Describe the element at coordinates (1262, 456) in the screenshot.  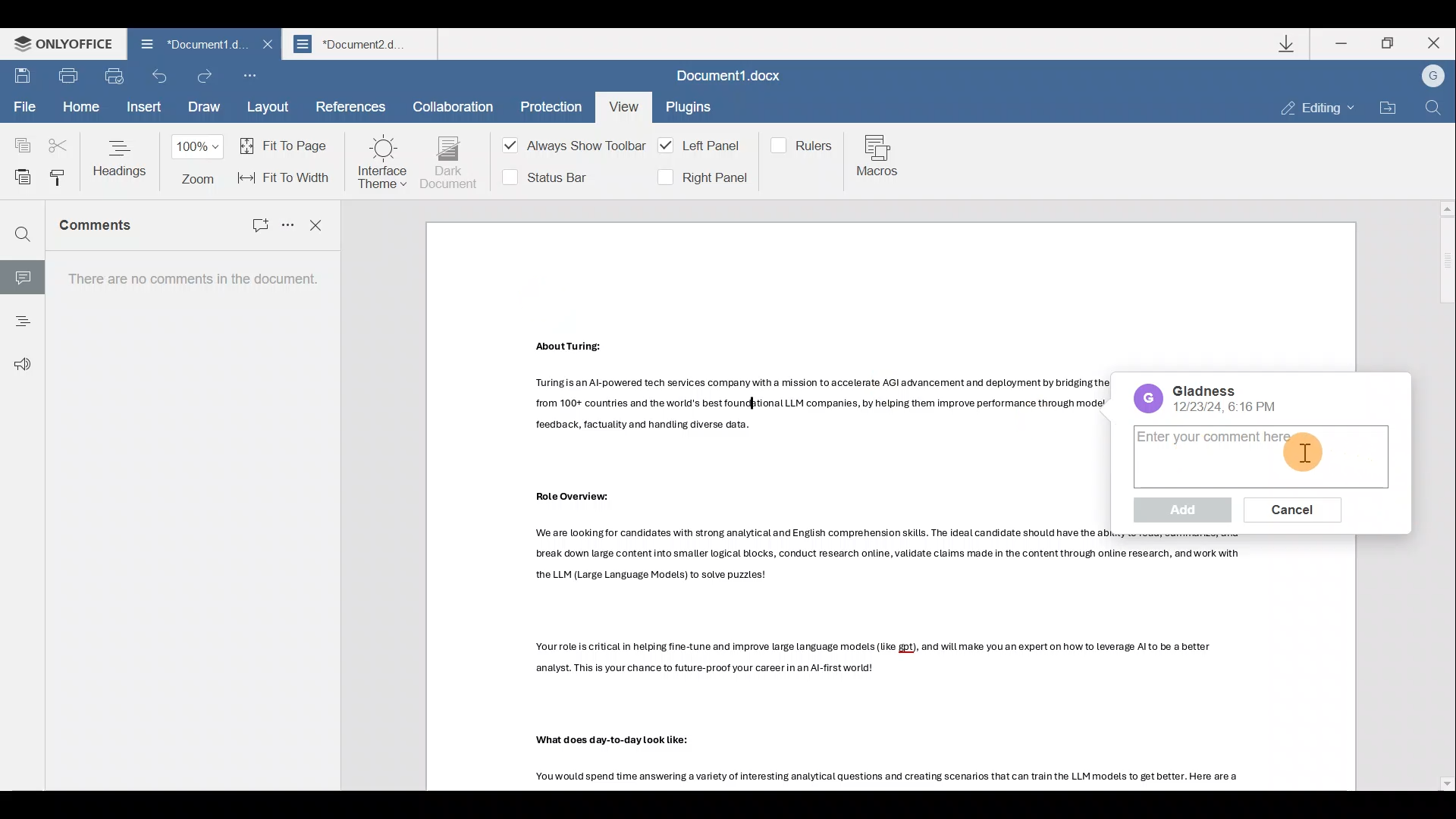
I see `Comment box` at that location.